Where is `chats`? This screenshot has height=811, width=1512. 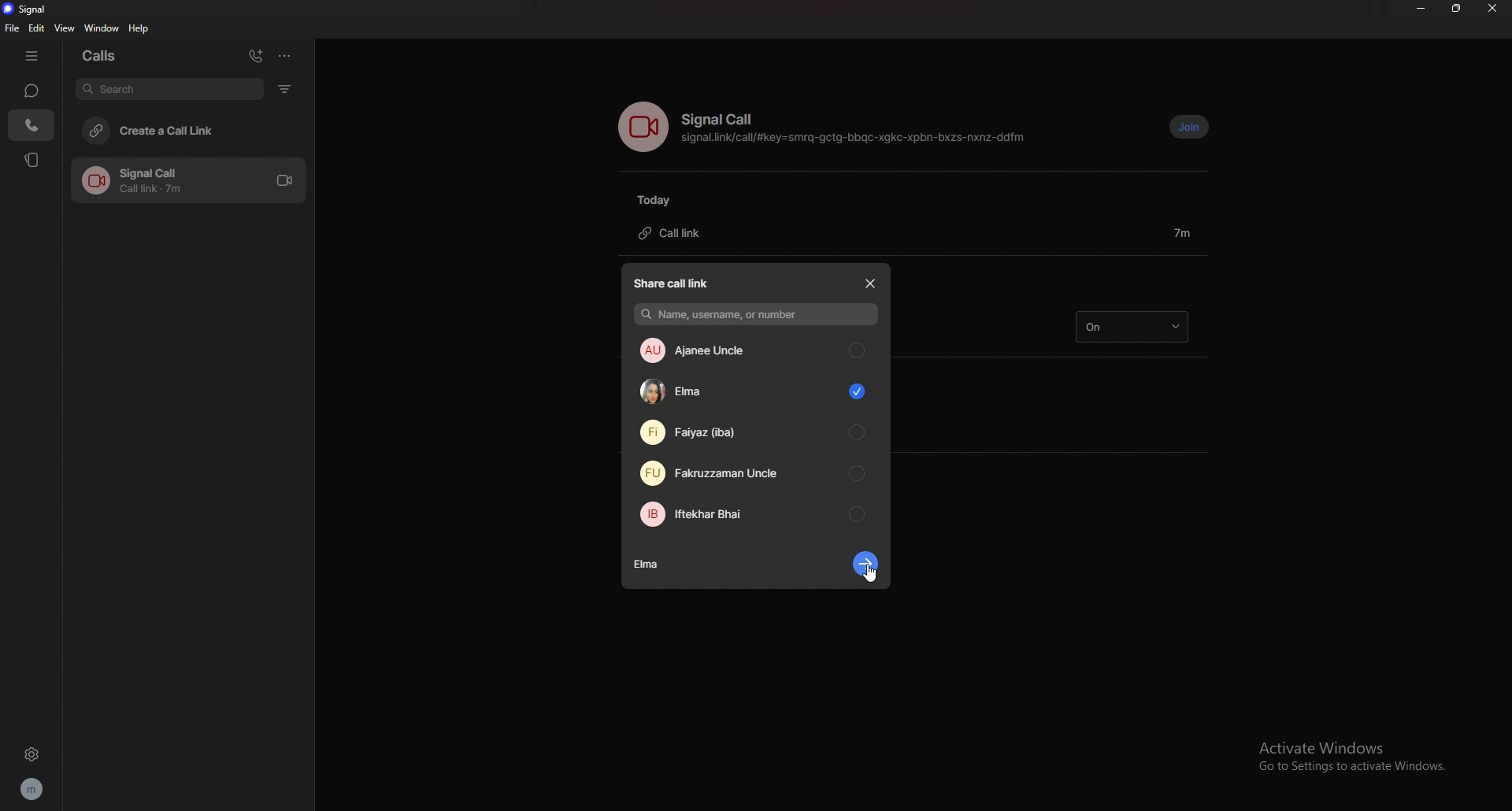
chats is located at coordinates (32, 91).